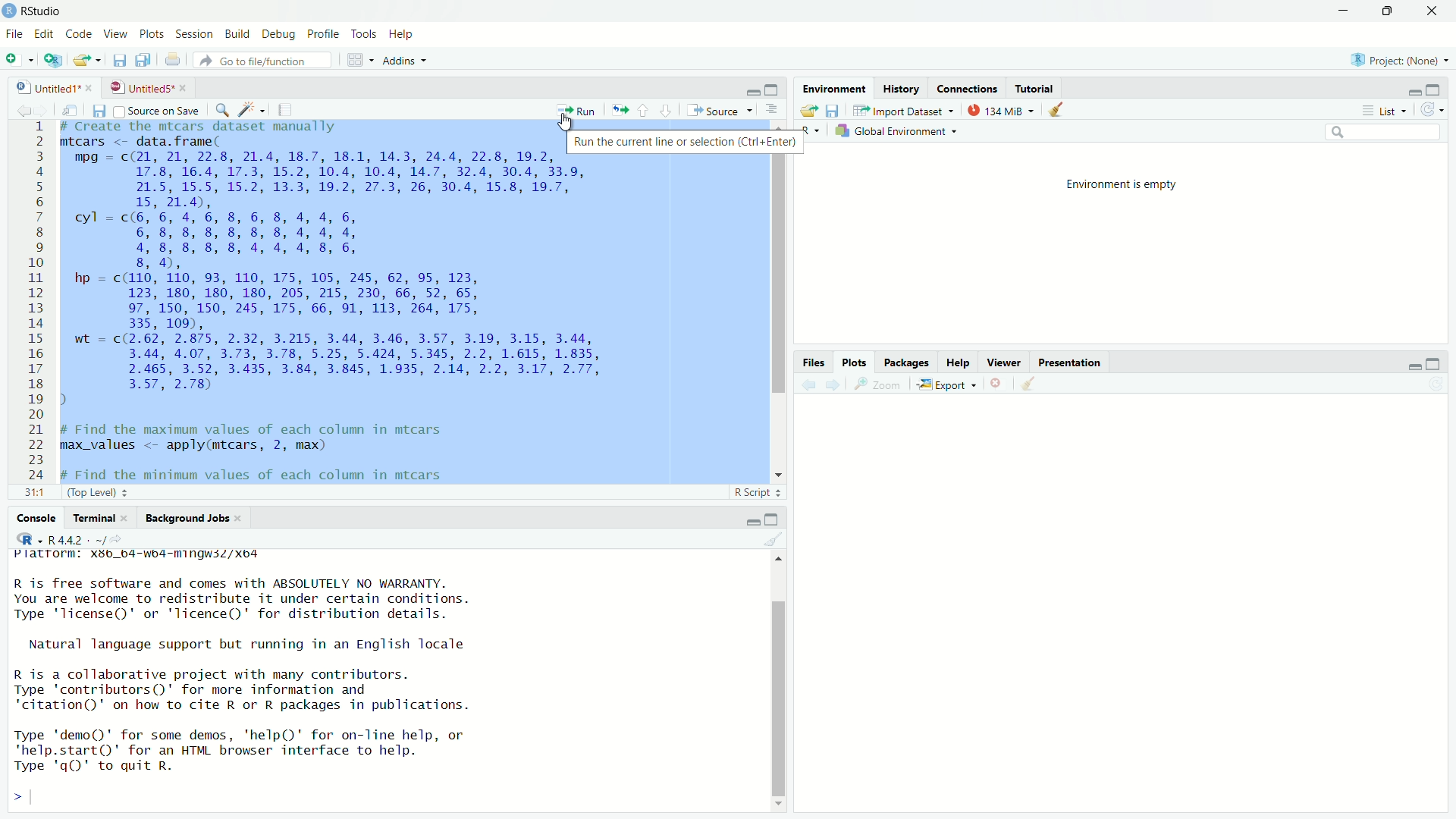 Image resolution: width=1456 pixels, height=819 pixels. What do you see at coordinates (773, 681) in the screenshot?
I see `scroll bar` at bounding box center [773, 681].